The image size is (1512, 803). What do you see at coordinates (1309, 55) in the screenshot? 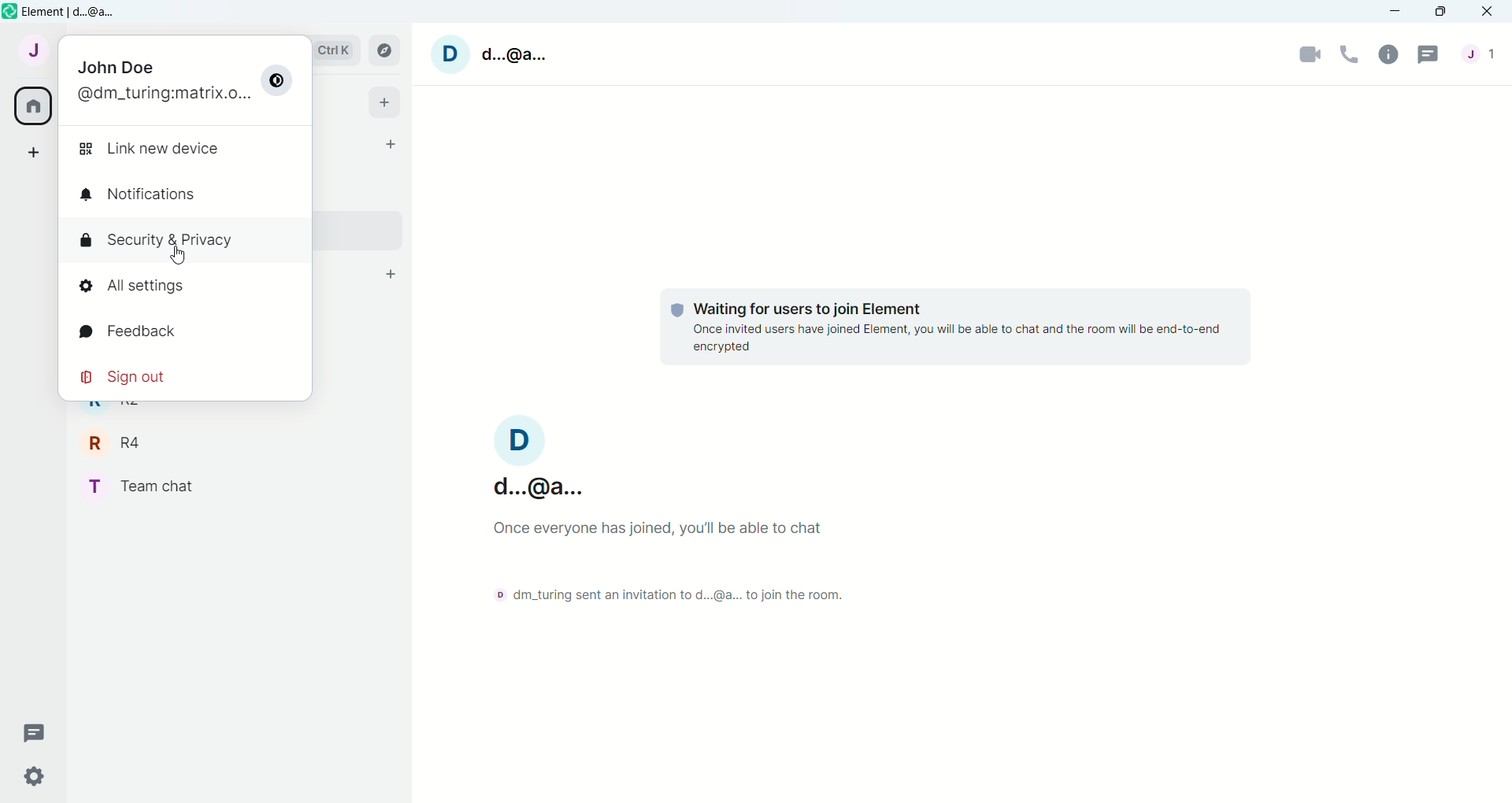
I see `video call` at bounding box center [1309, 55].